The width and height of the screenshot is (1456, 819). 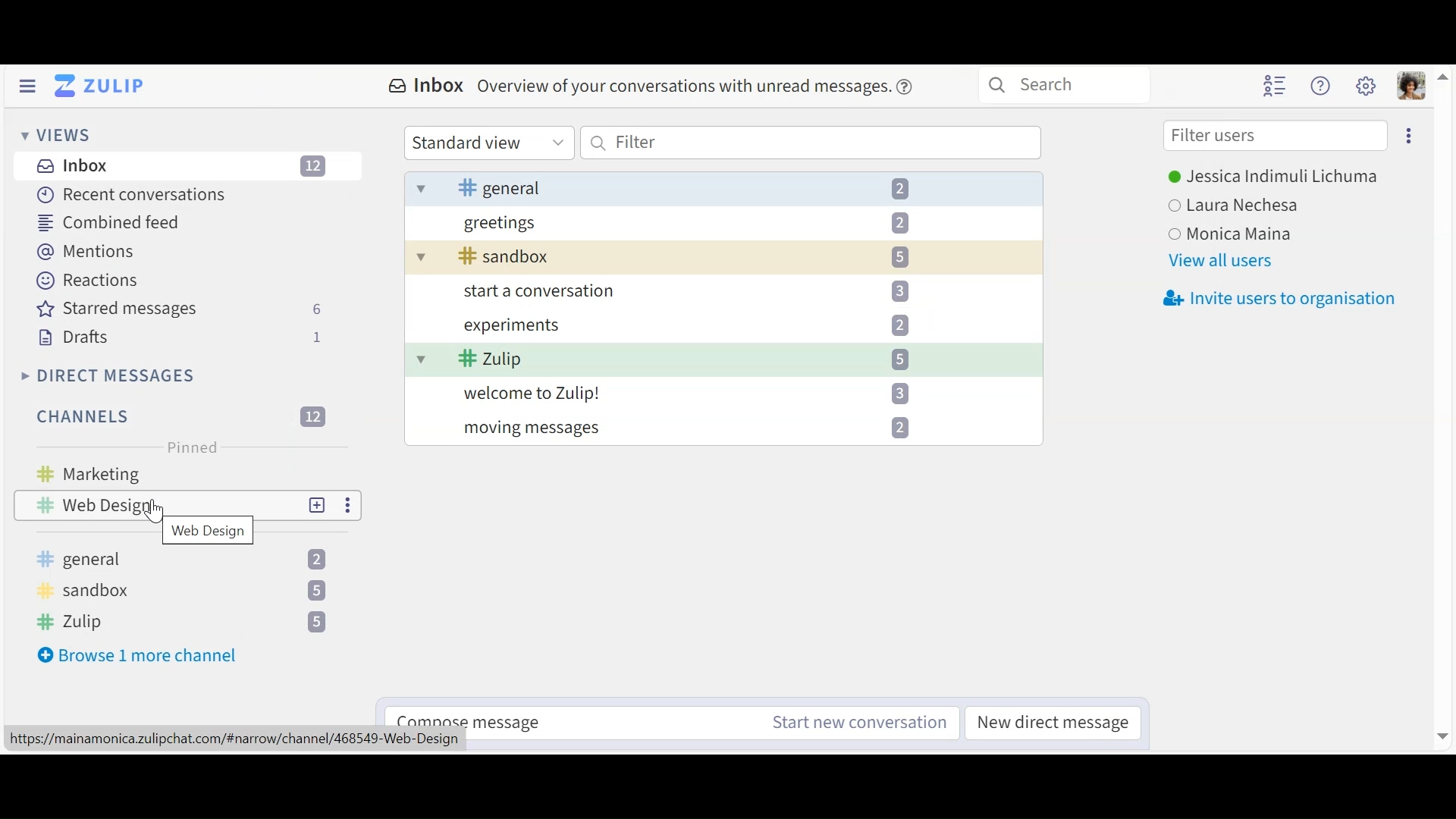 What do you see at coordinates (1407, 137) in the screenshot?
I see `ellipsis` at bounding box center [1407, 137].